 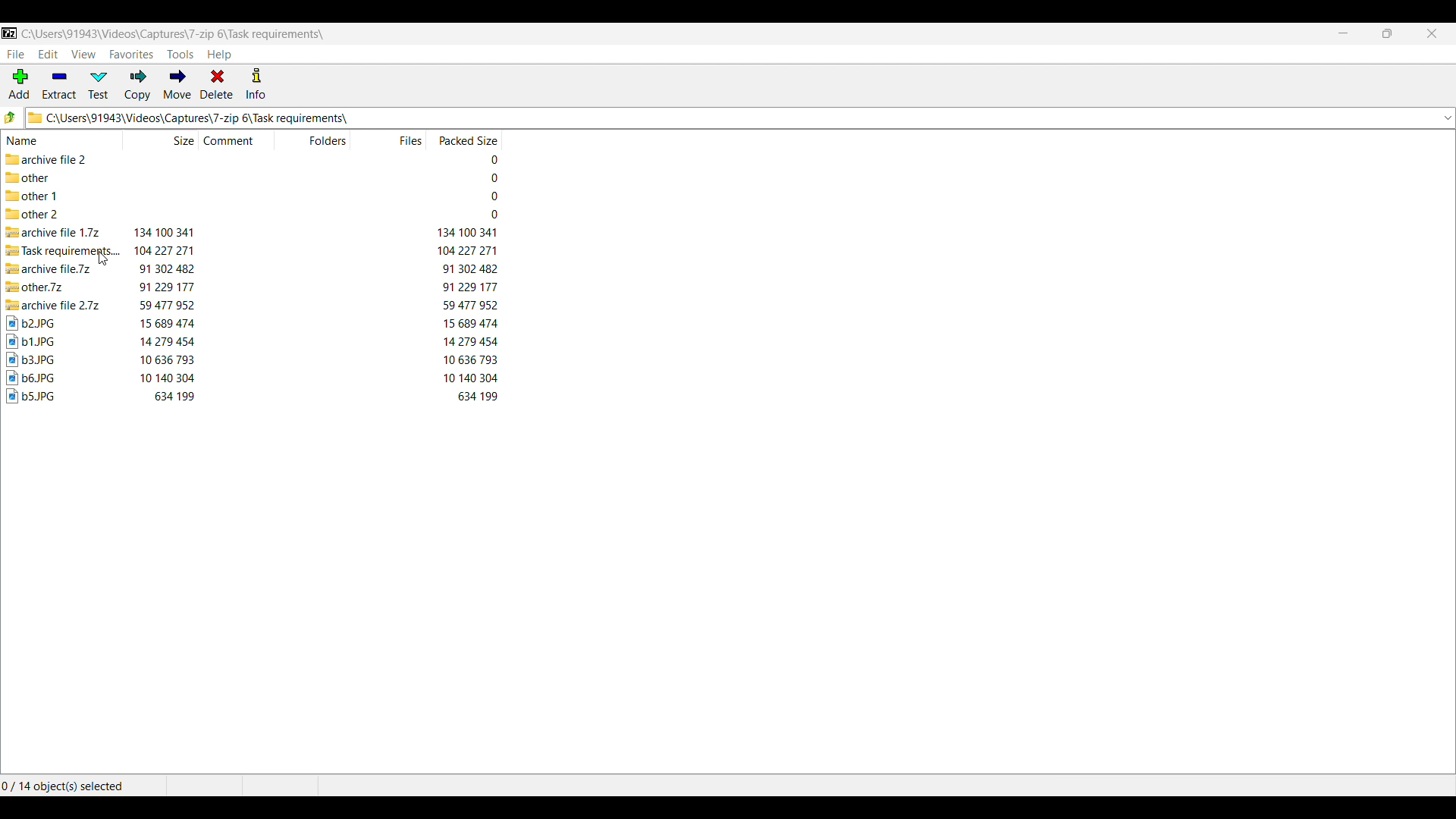 I want to click on Go to previous folder, so click(x=11, y=117).